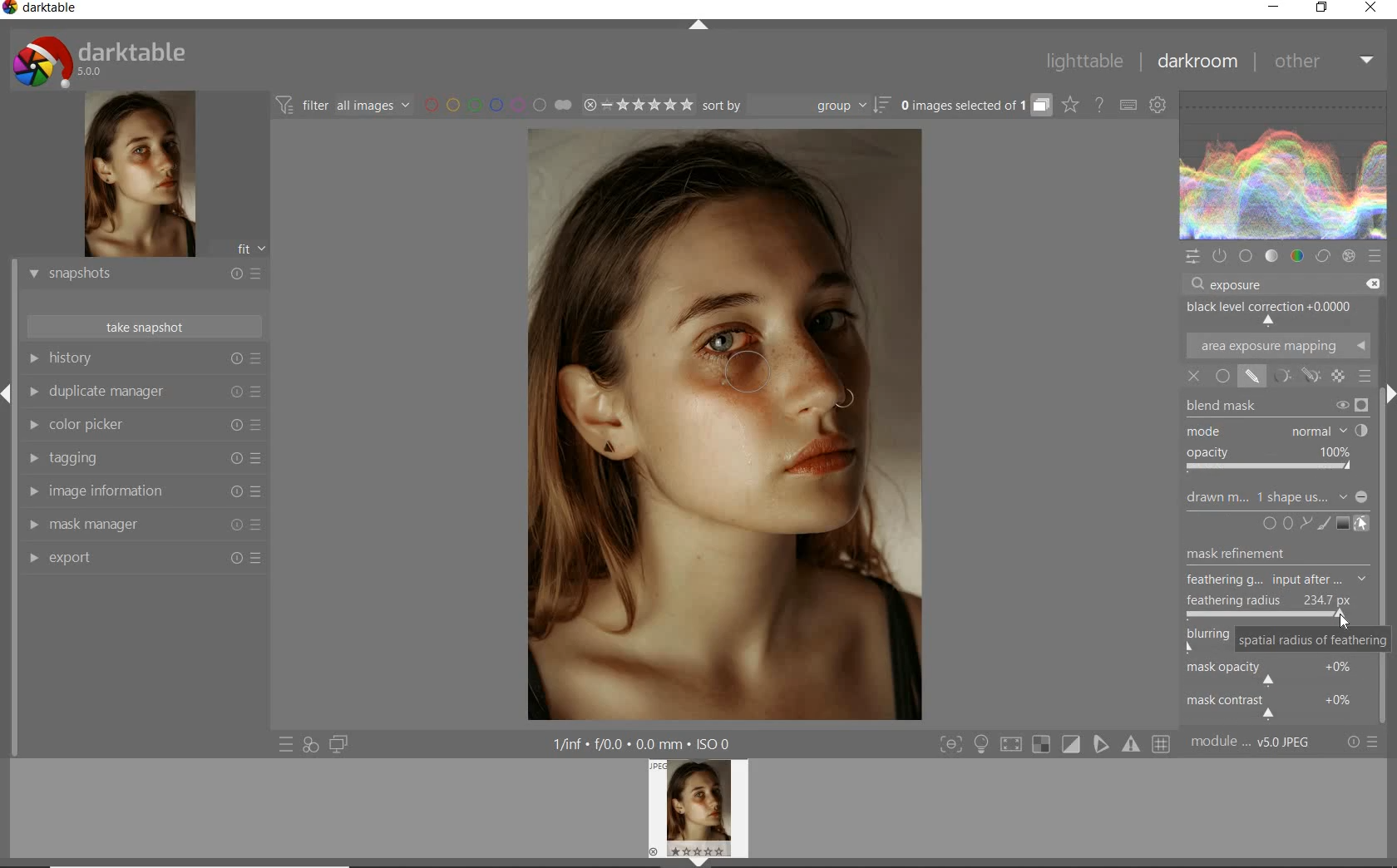 The image size is (1397, 868). I want to click on set keyboard shortcuts, so click(1127, 106).